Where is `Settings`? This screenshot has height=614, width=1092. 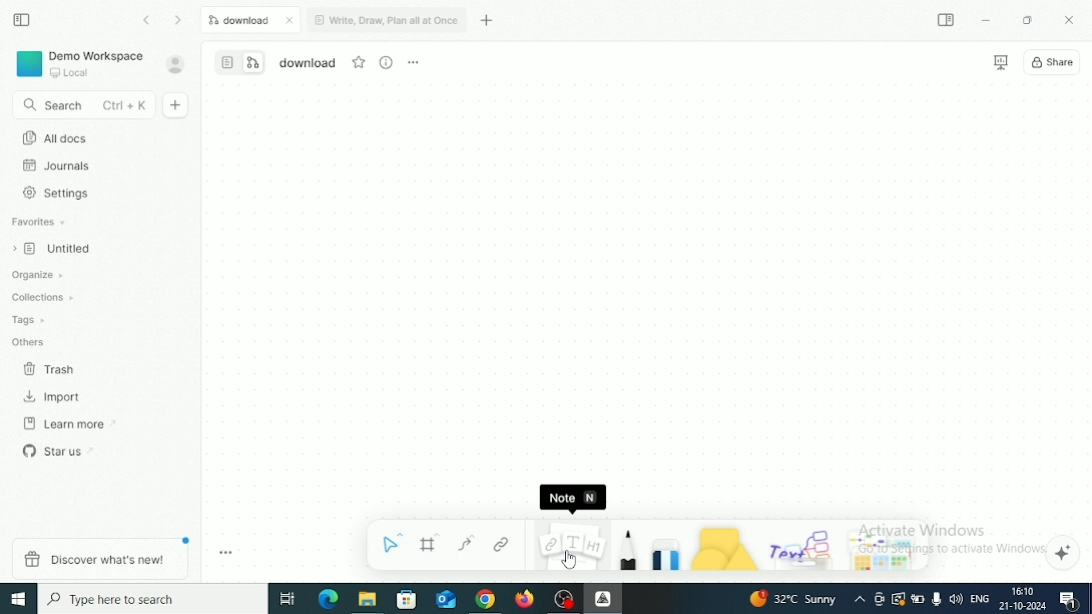
Settings is located at coordinates (56, 195).